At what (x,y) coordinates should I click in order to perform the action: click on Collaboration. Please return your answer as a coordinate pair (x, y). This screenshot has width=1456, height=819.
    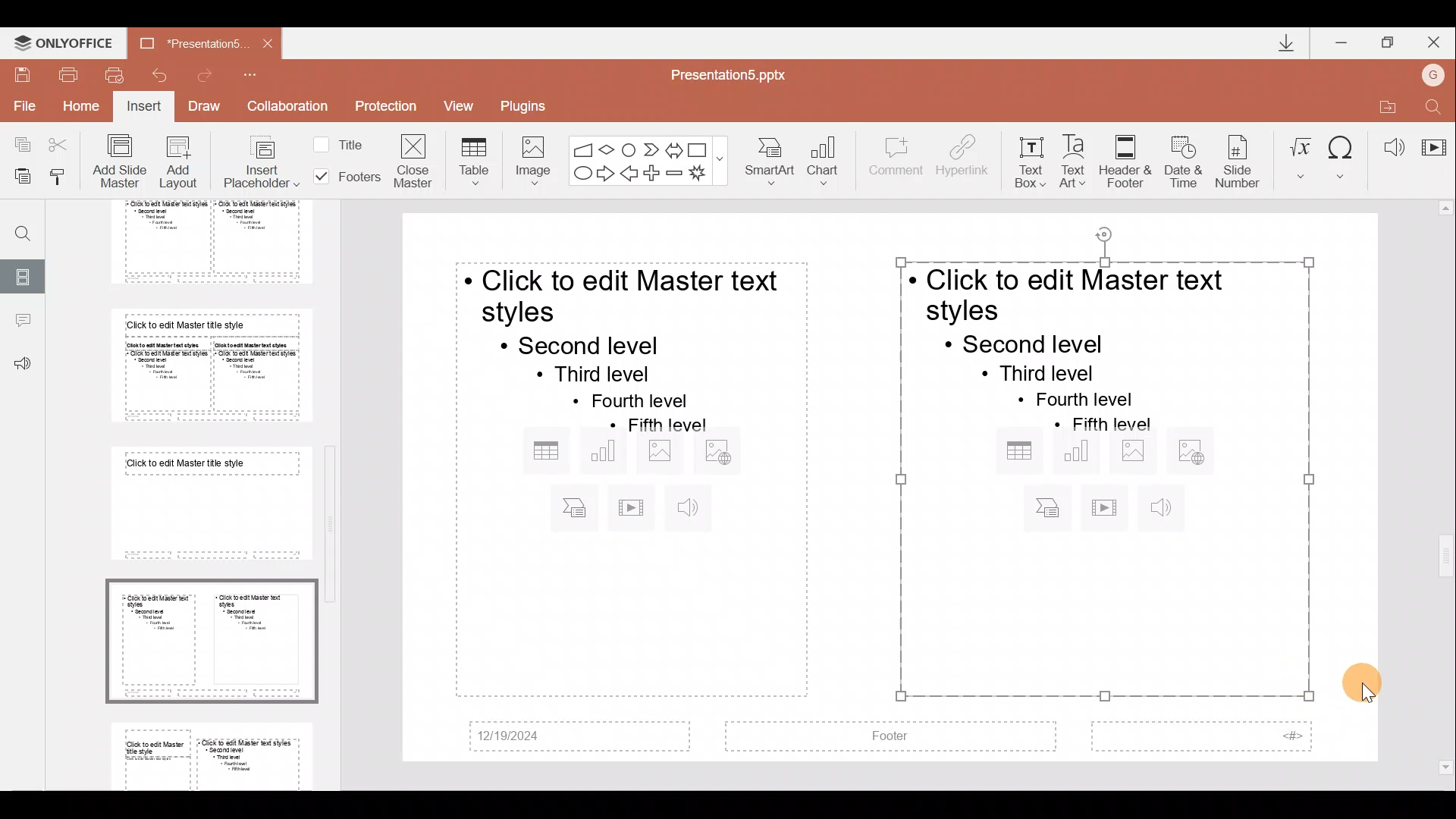
    Looking at the image, I should click on (287, 106).